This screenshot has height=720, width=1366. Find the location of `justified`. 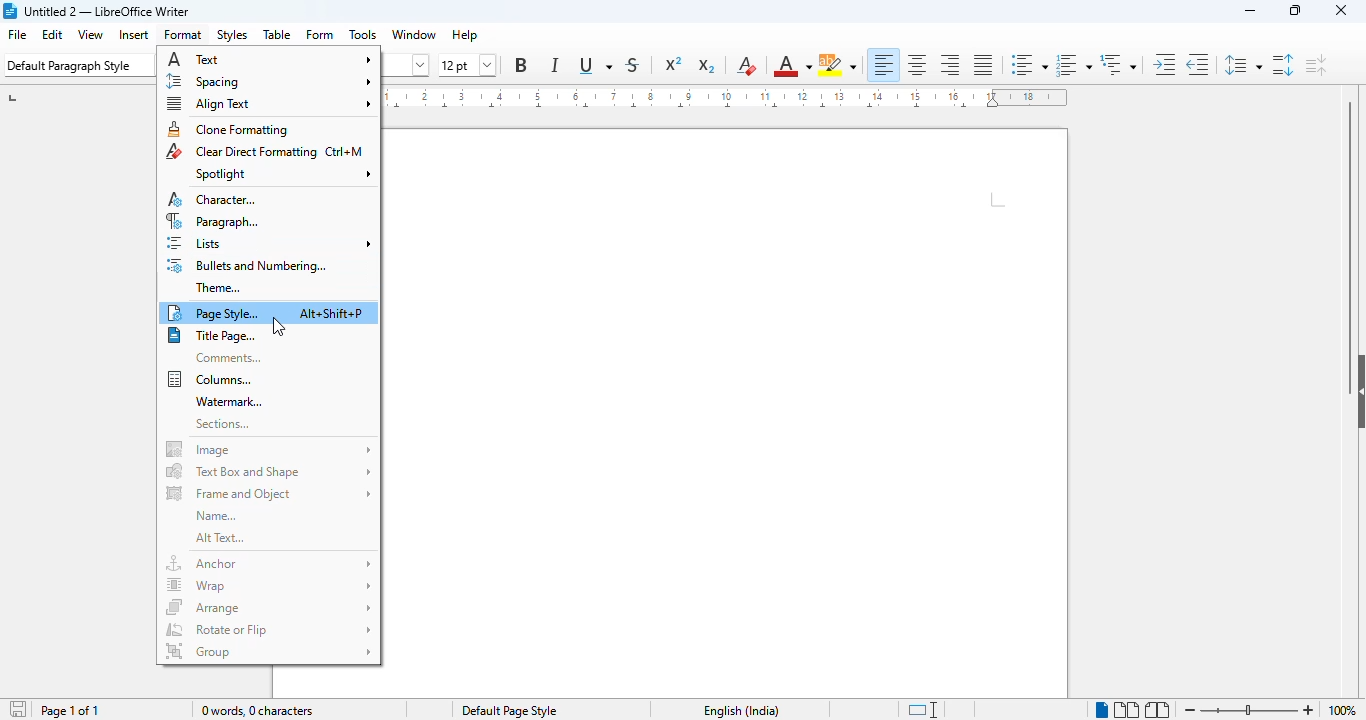

justified is located at coordinates (985, 65).